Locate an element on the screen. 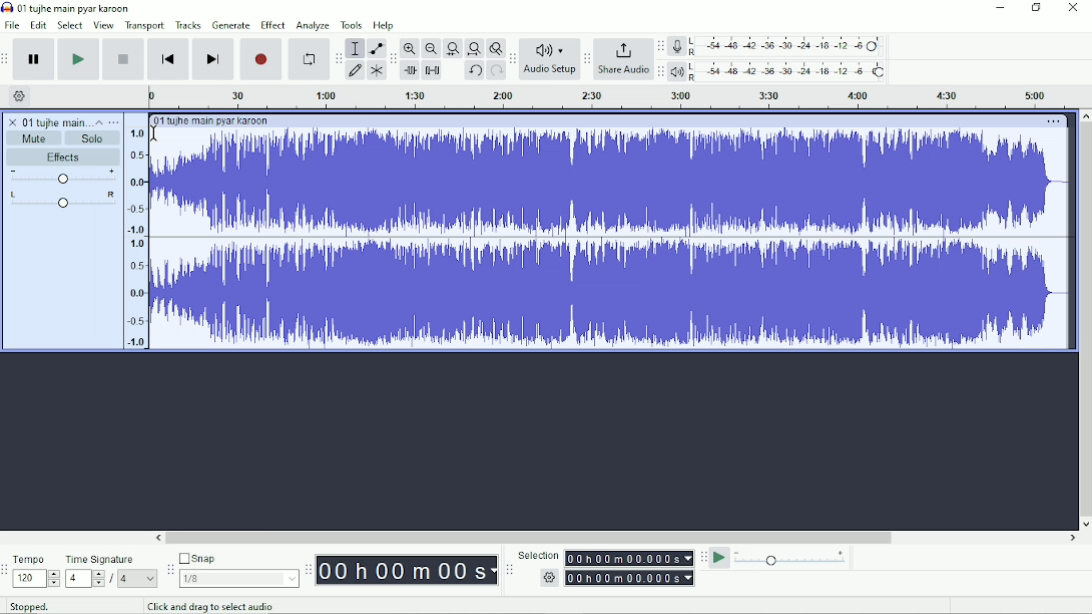 Image resolution: width=1092 pixels, height=614 pixels. Audacity audio setup toolbar is located at coordinates (512, 59).